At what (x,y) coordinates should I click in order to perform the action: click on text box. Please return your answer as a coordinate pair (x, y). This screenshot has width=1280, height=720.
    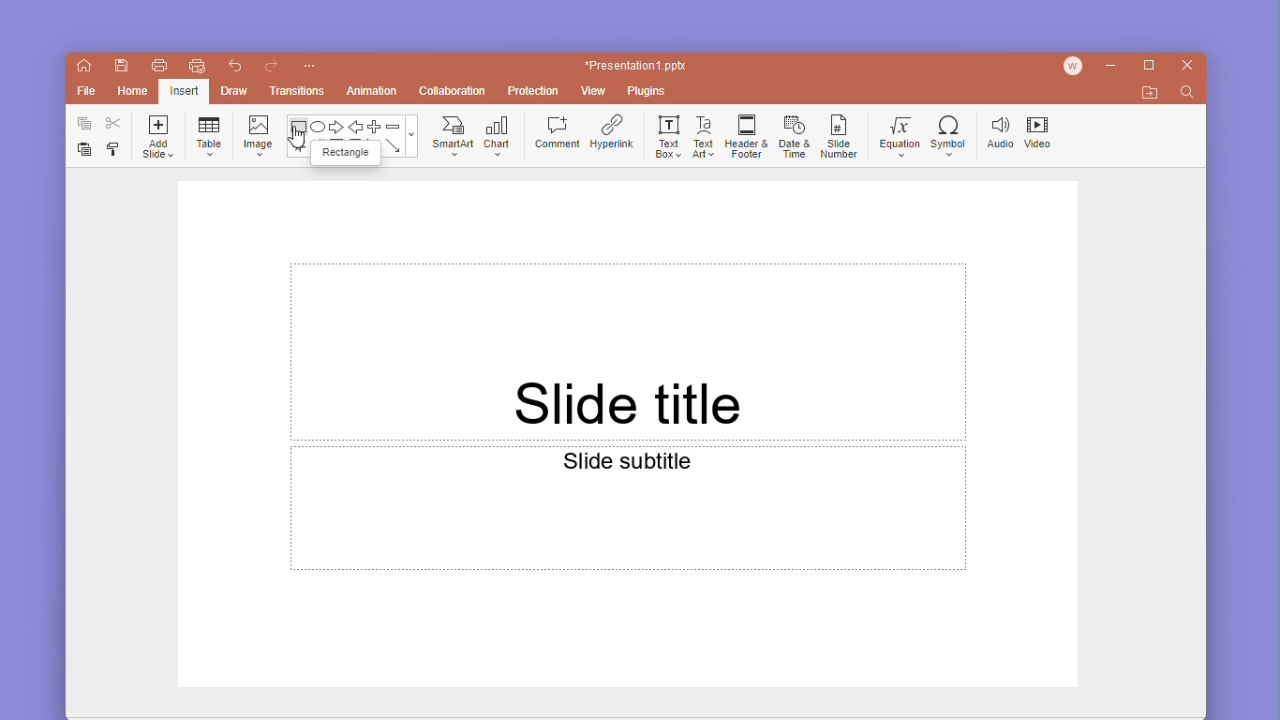
    Looking at the image, I should click on (665, 135).